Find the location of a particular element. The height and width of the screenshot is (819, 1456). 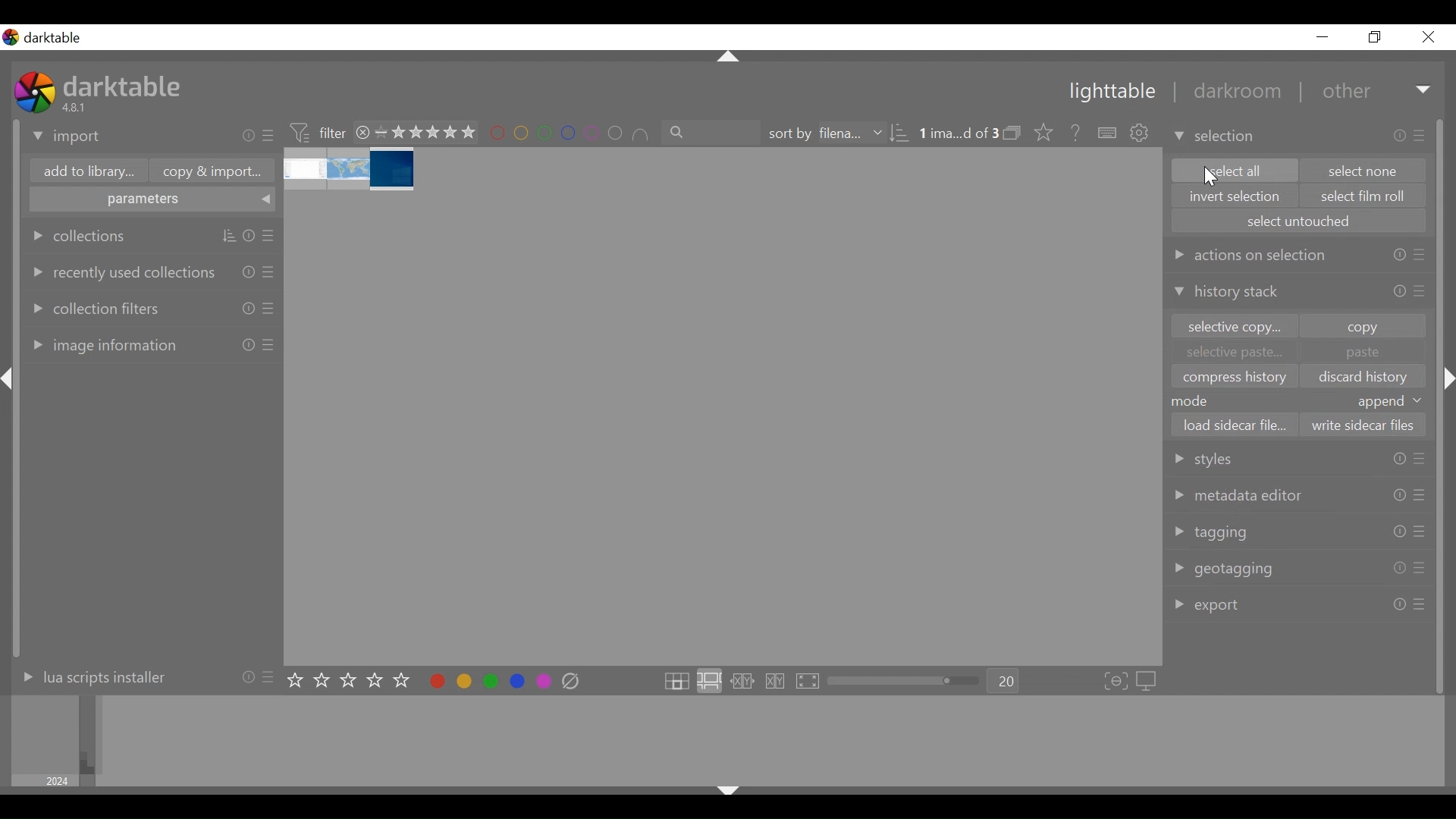

Collapse  is located at coordinates (730, 58).